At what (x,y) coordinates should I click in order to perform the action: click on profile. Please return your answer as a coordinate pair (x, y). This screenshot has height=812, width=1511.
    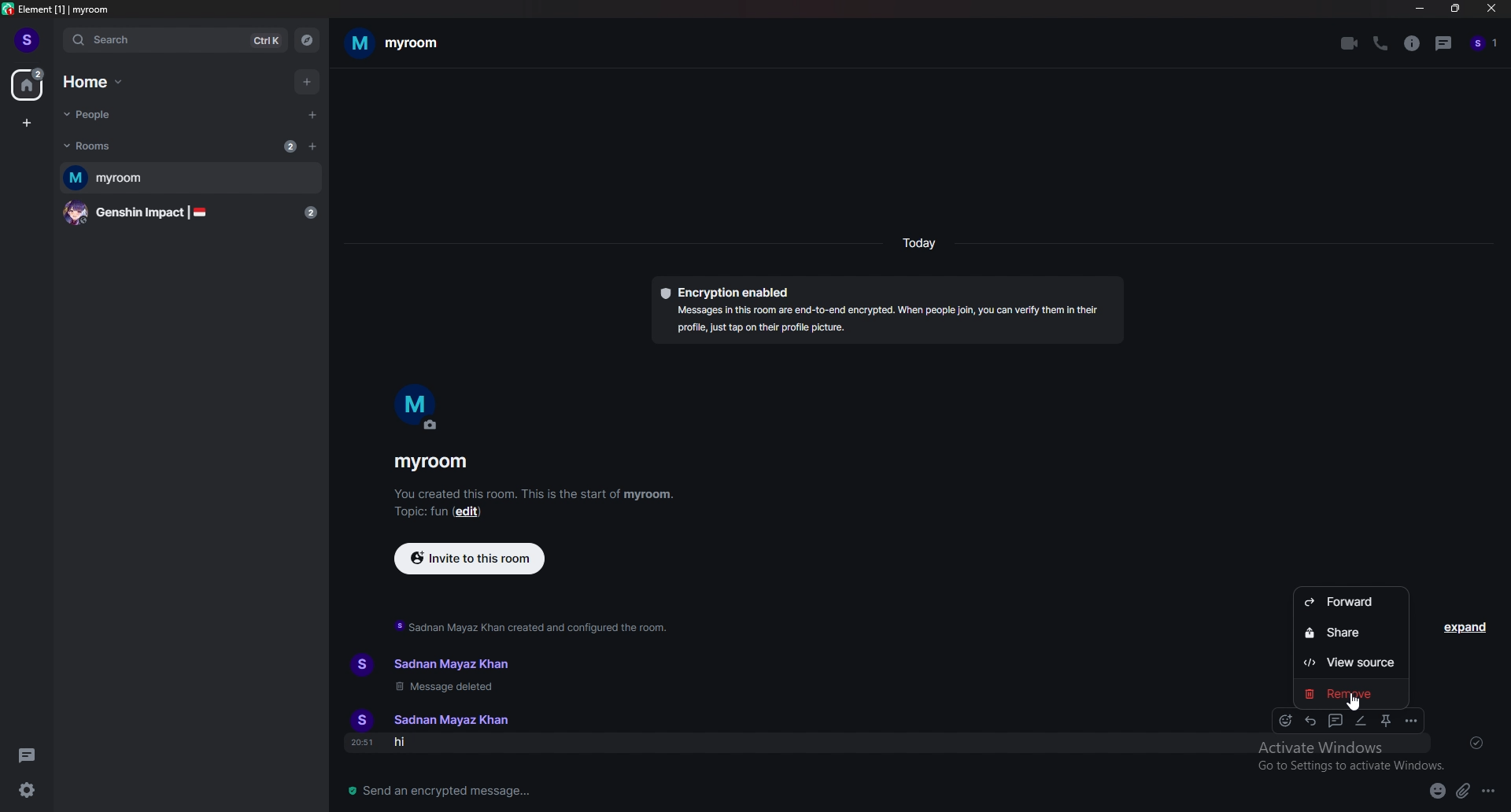
    Looking at the image, I should click on (27, 39).